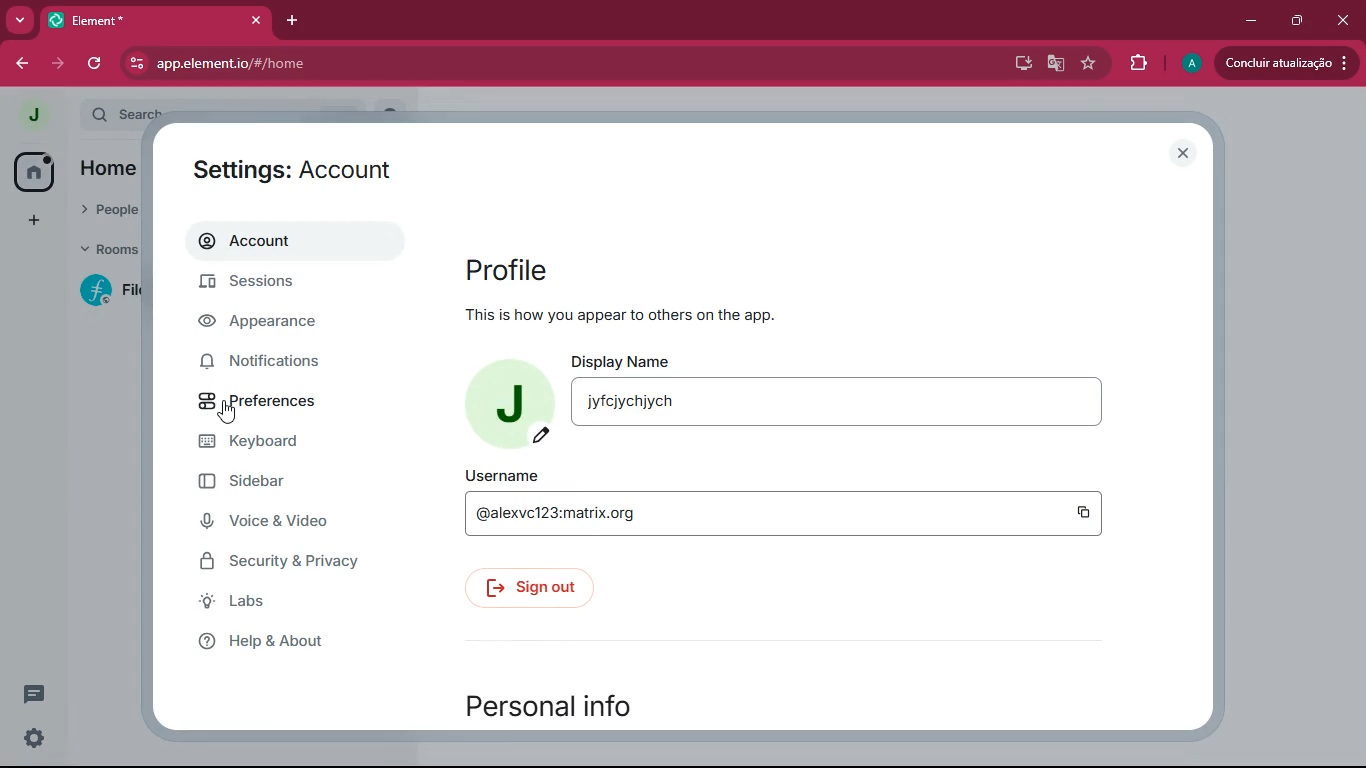 Image resolution: width=1366 pixels, height=768 pixels. What do you see at coordinates (532, 587) in the screenshot?
I see `sign out` at bounding box center [532, 587].